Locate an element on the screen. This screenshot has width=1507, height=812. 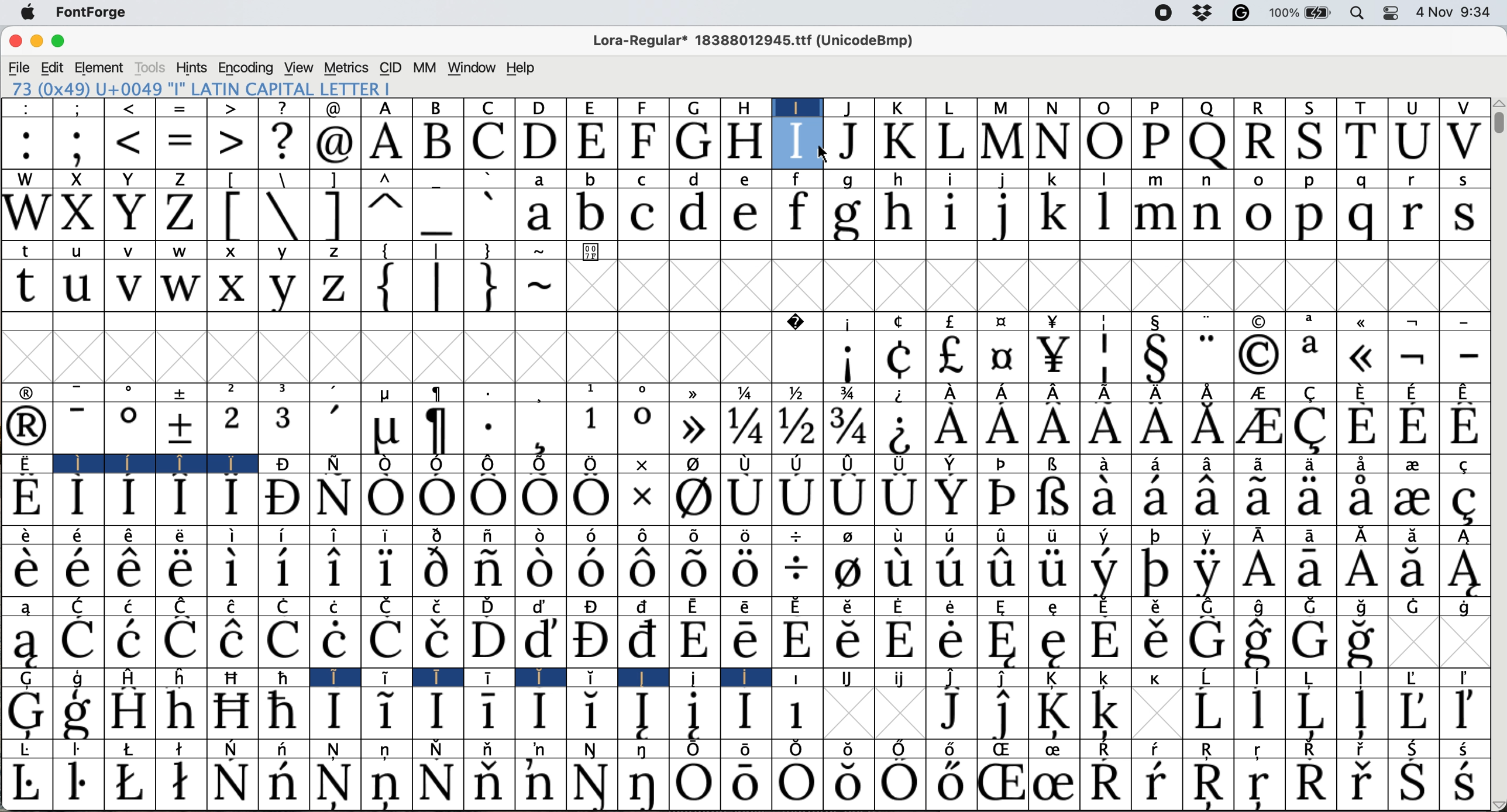
k is located at coordinates (1051, 180).